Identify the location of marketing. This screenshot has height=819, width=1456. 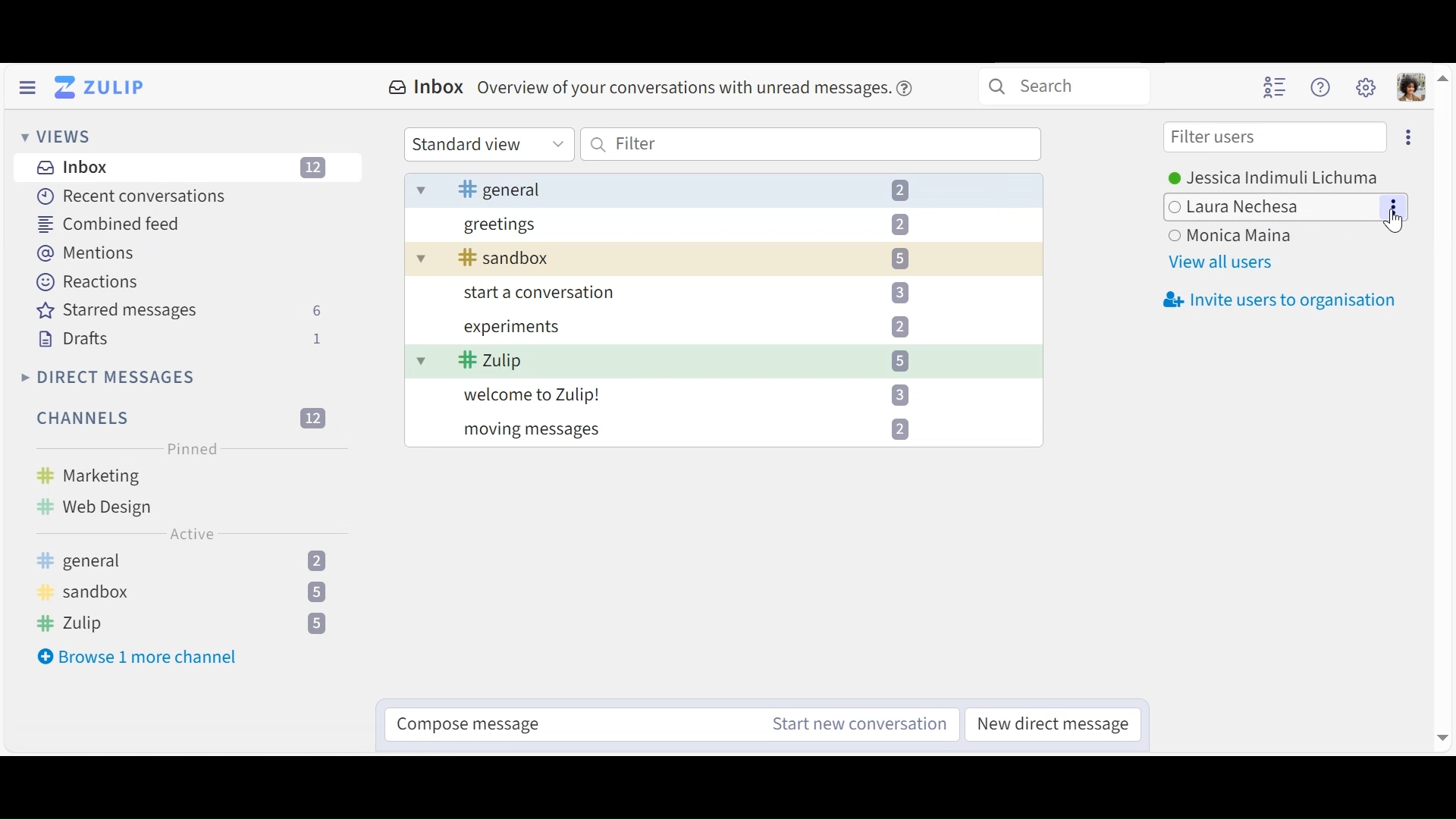
(117, 477).